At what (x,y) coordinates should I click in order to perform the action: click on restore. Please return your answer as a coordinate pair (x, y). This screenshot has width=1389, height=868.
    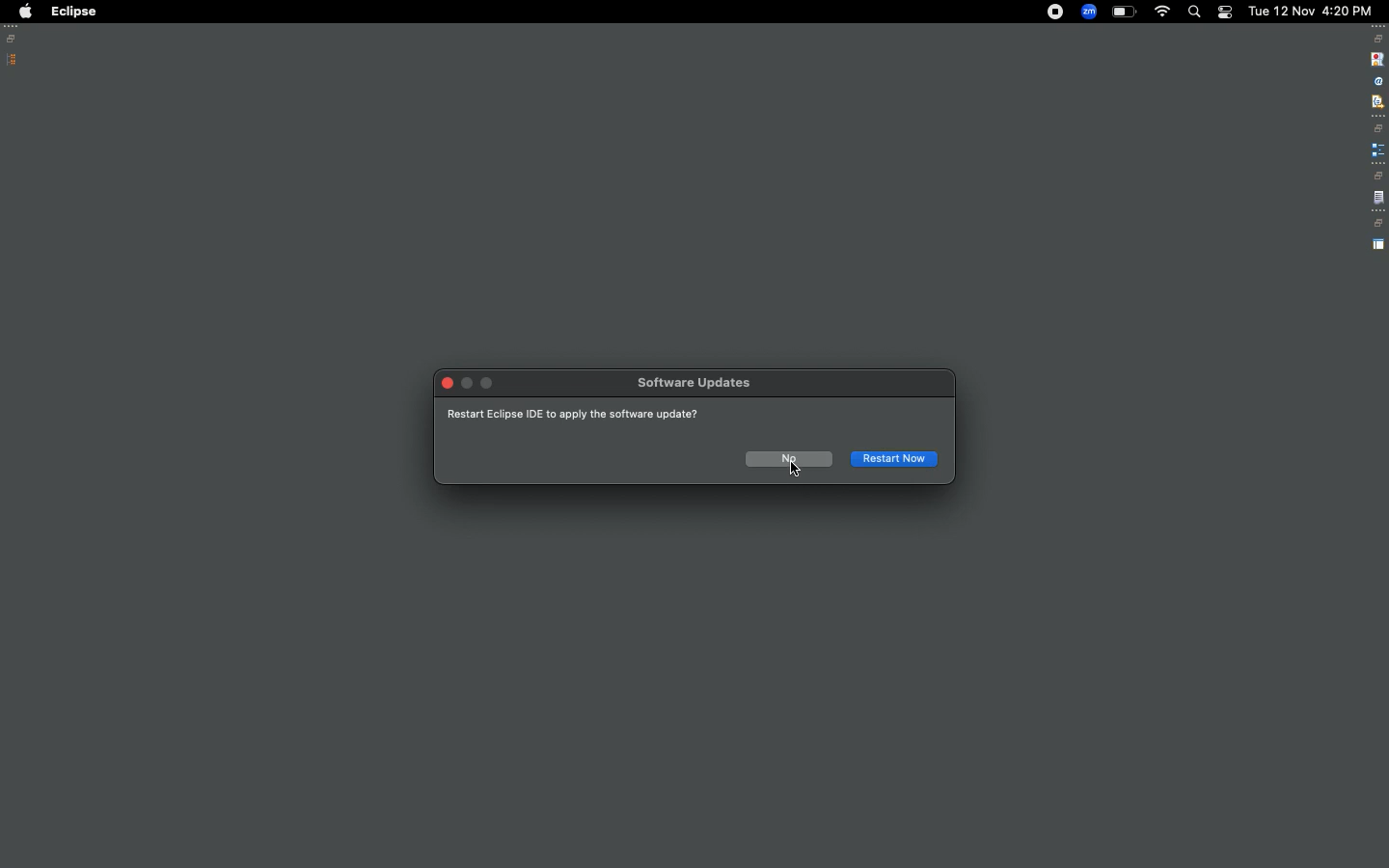
    Looking at the image, I should click on (1379, 128).